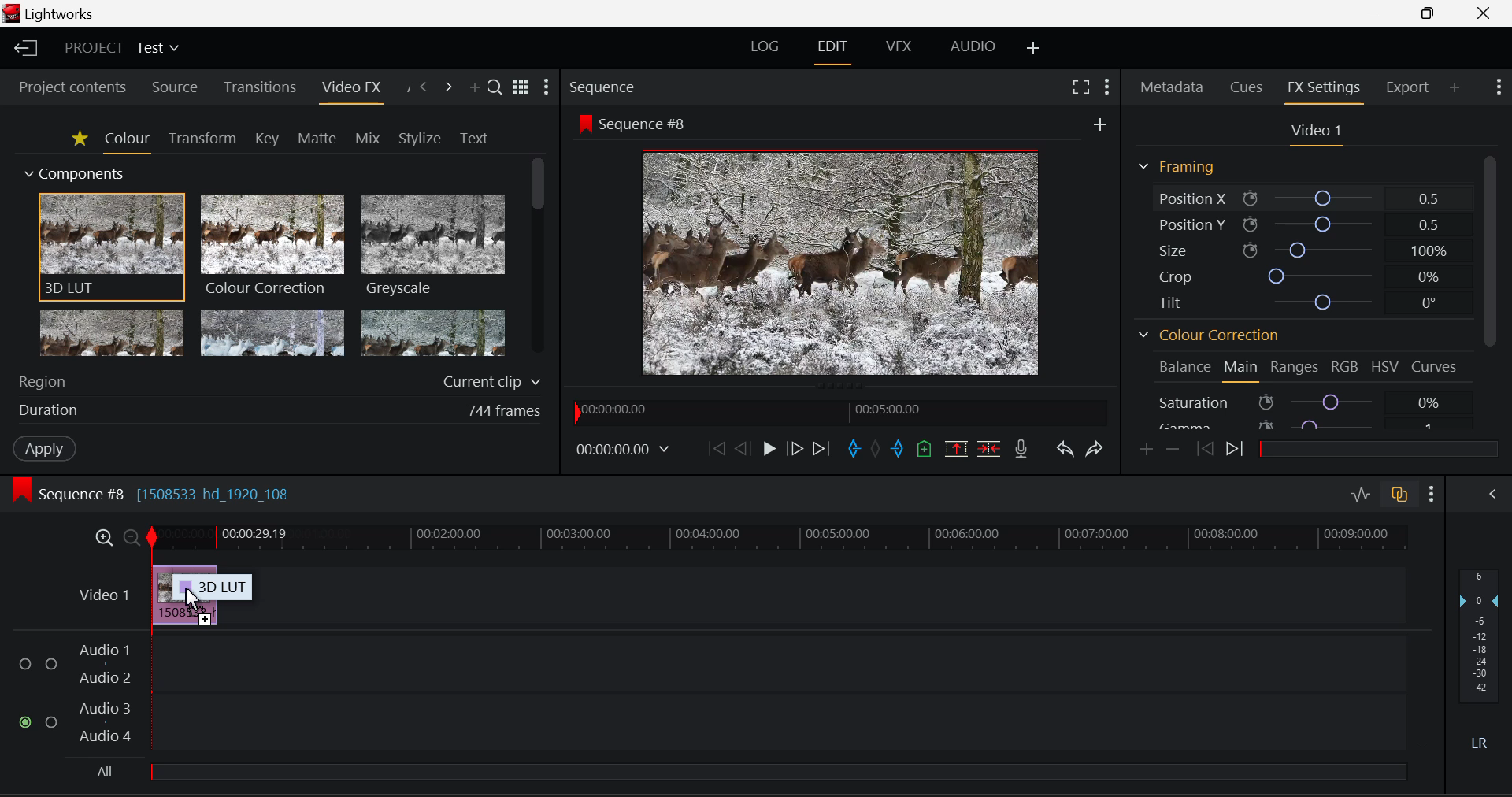 The width and height of the screenshot is (1512, 797). What do you see at coordinates (1489, 13) in the screenshot?
I see `Close` at bounding box center [1489, 13].